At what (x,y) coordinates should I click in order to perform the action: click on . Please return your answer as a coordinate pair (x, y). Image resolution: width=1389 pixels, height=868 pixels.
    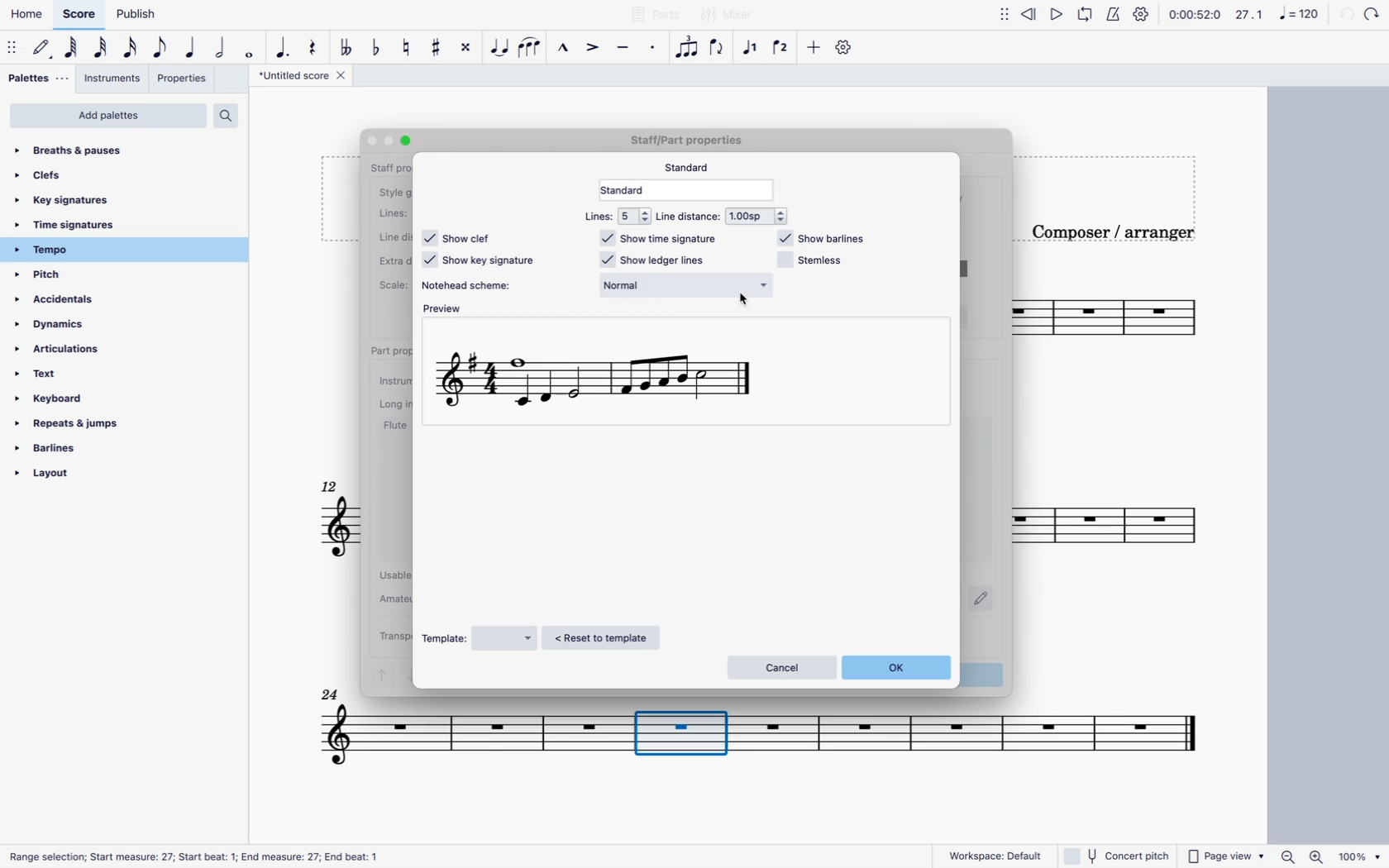
    Looking at the image, I should click on (408, 138).